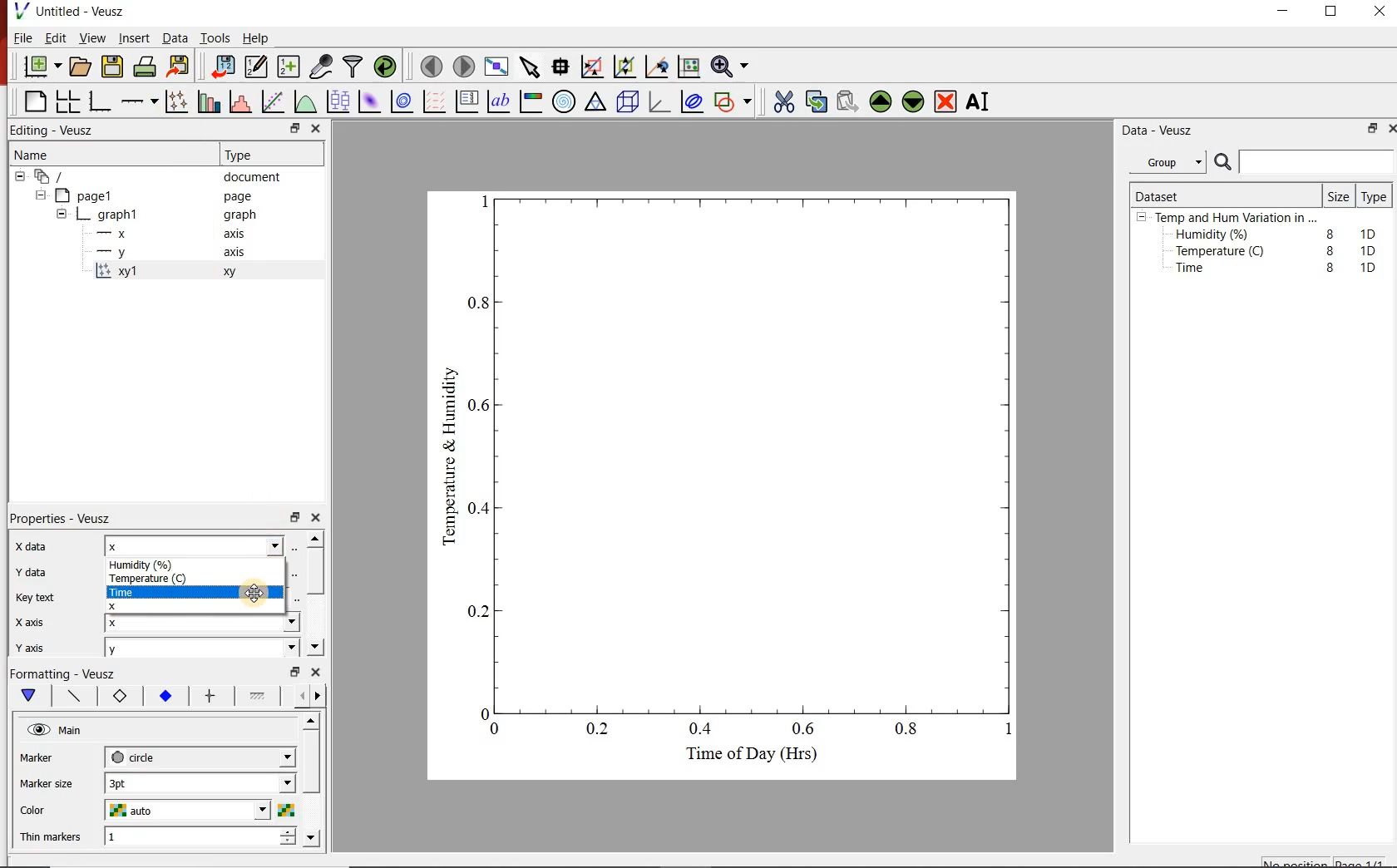 Image resolution: width=1397 pixels, height=868 pixels. What do you see at coordinates (160, 838) in the screenshot?
I see `1` at bounding box center [160, 838].